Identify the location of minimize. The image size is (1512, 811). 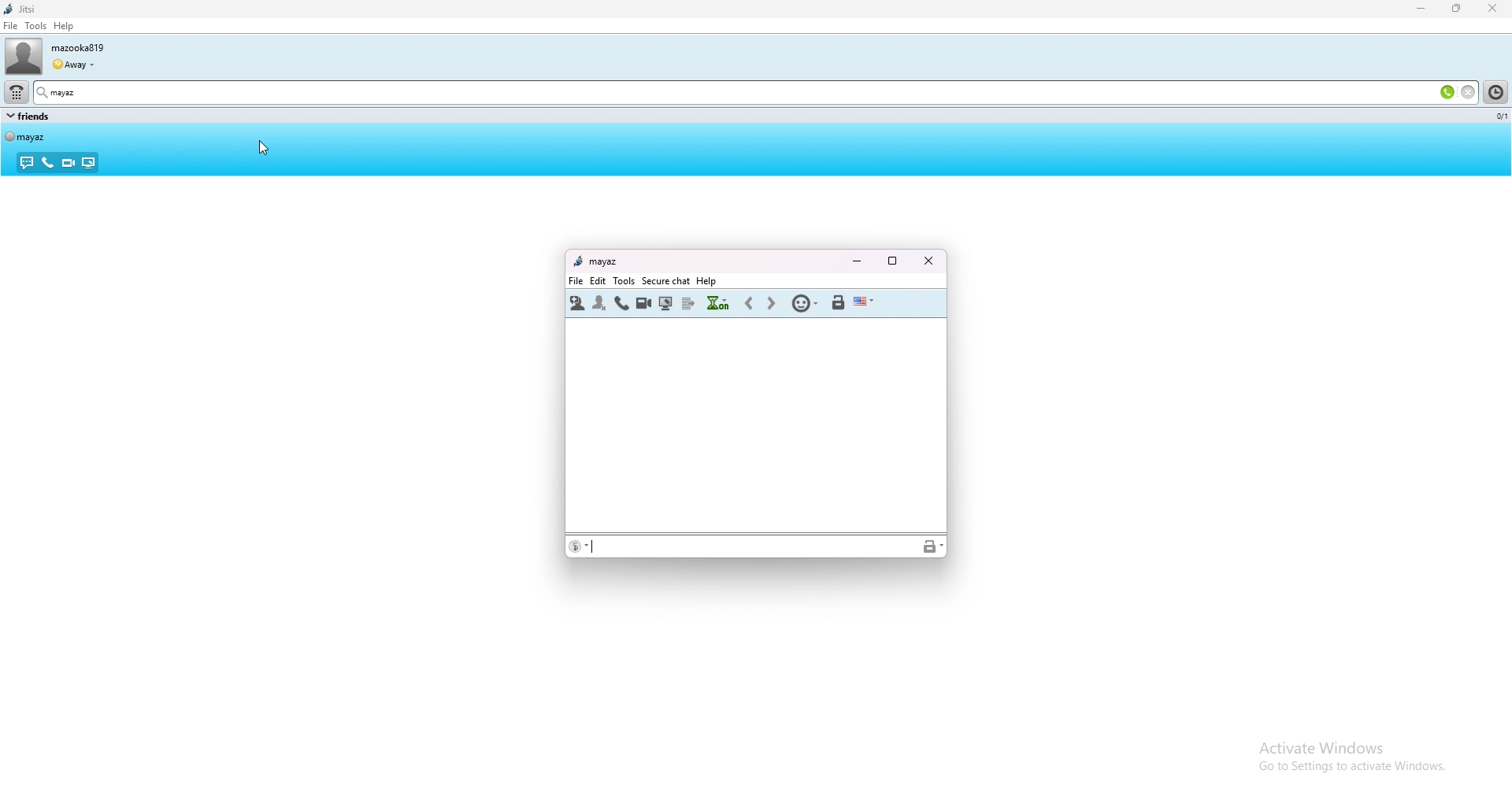
(856, 262).